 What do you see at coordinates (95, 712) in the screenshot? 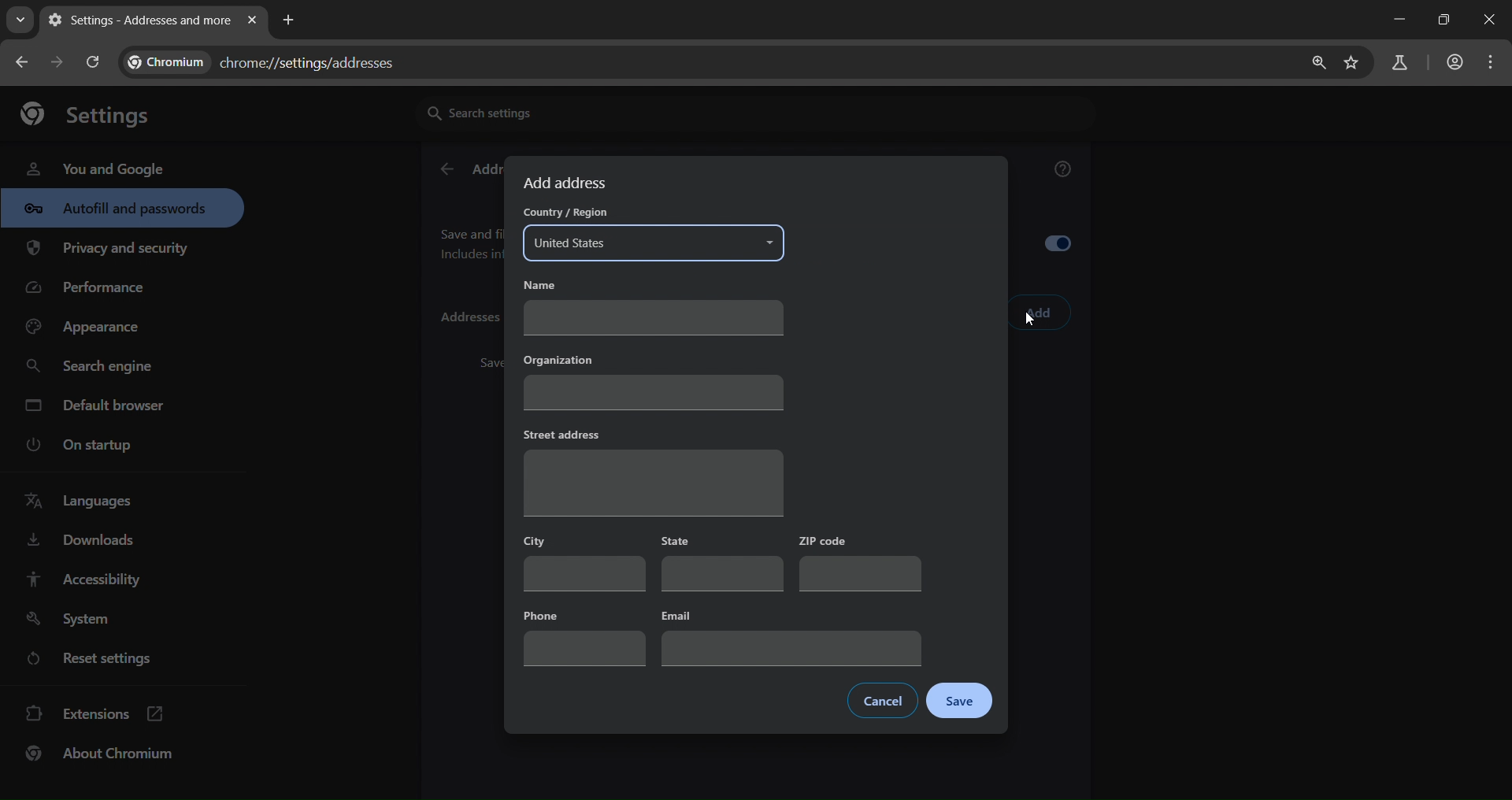
I see `extensions` at bounding box center [95, 712].